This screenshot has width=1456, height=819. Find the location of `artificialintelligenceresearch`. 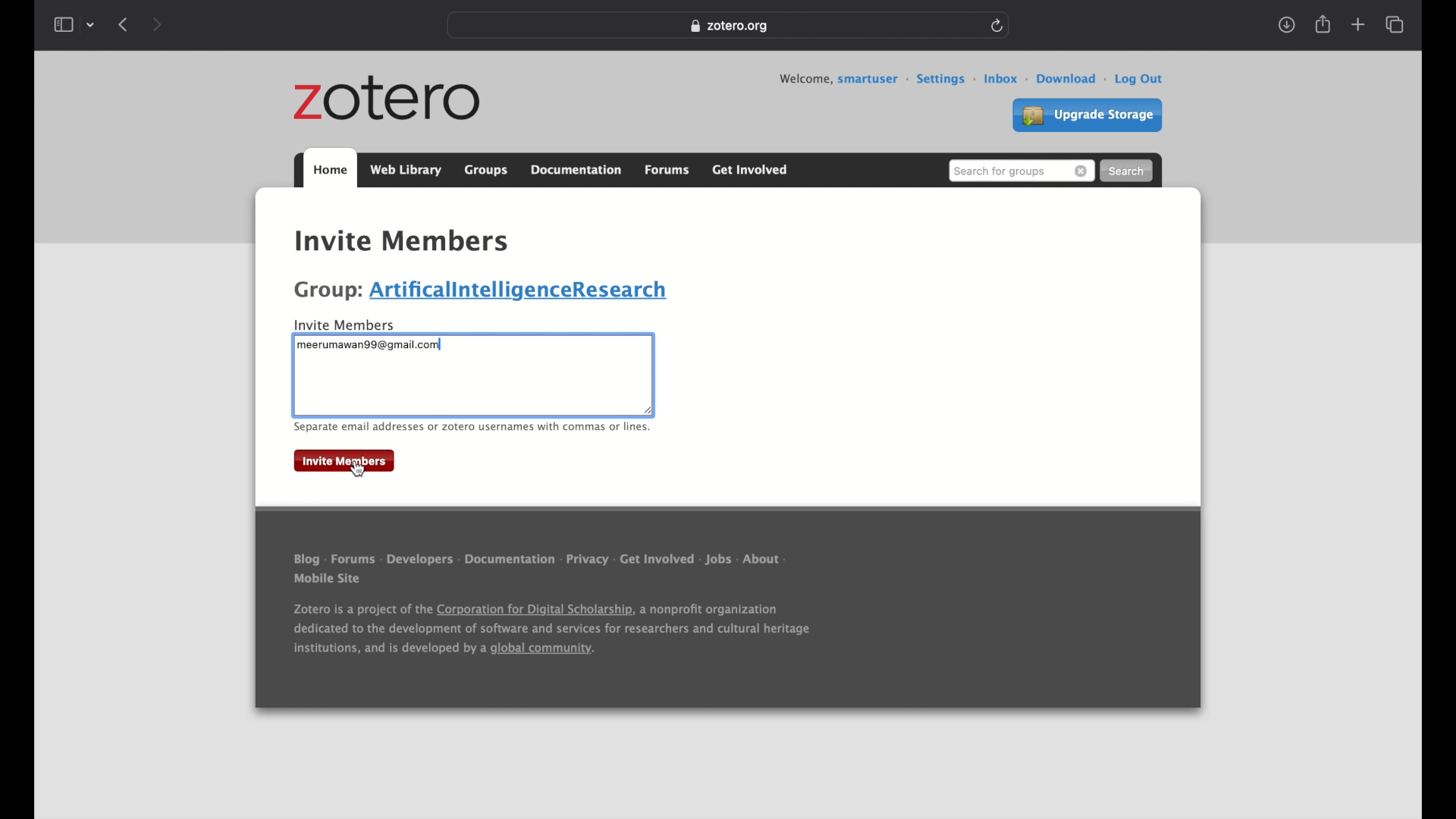

artificialintelligenceresearch is located at coordinates (524, 291).